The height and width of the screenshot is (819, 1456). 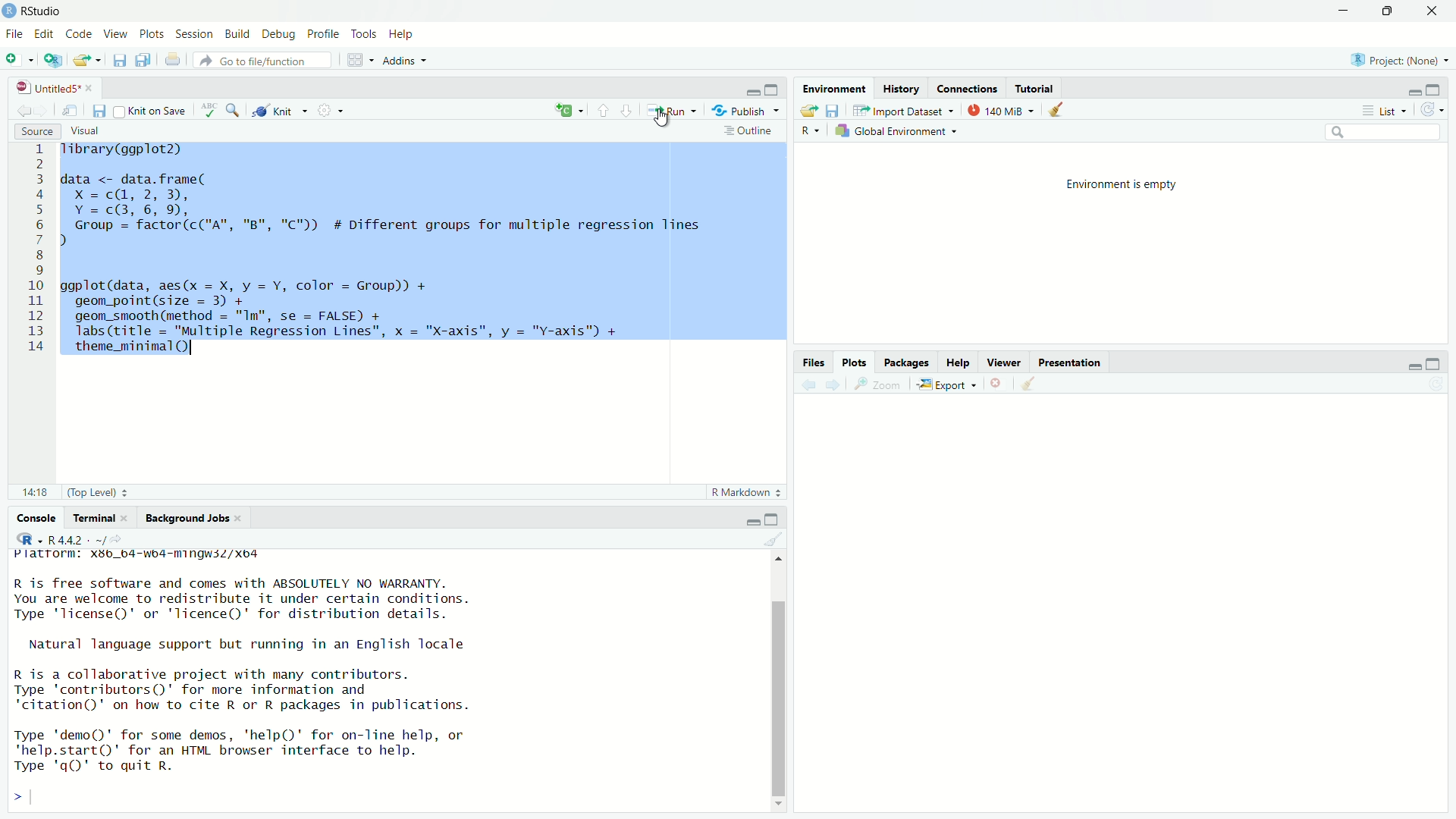 I want to click on minimise, so click(x=1343, y=9).